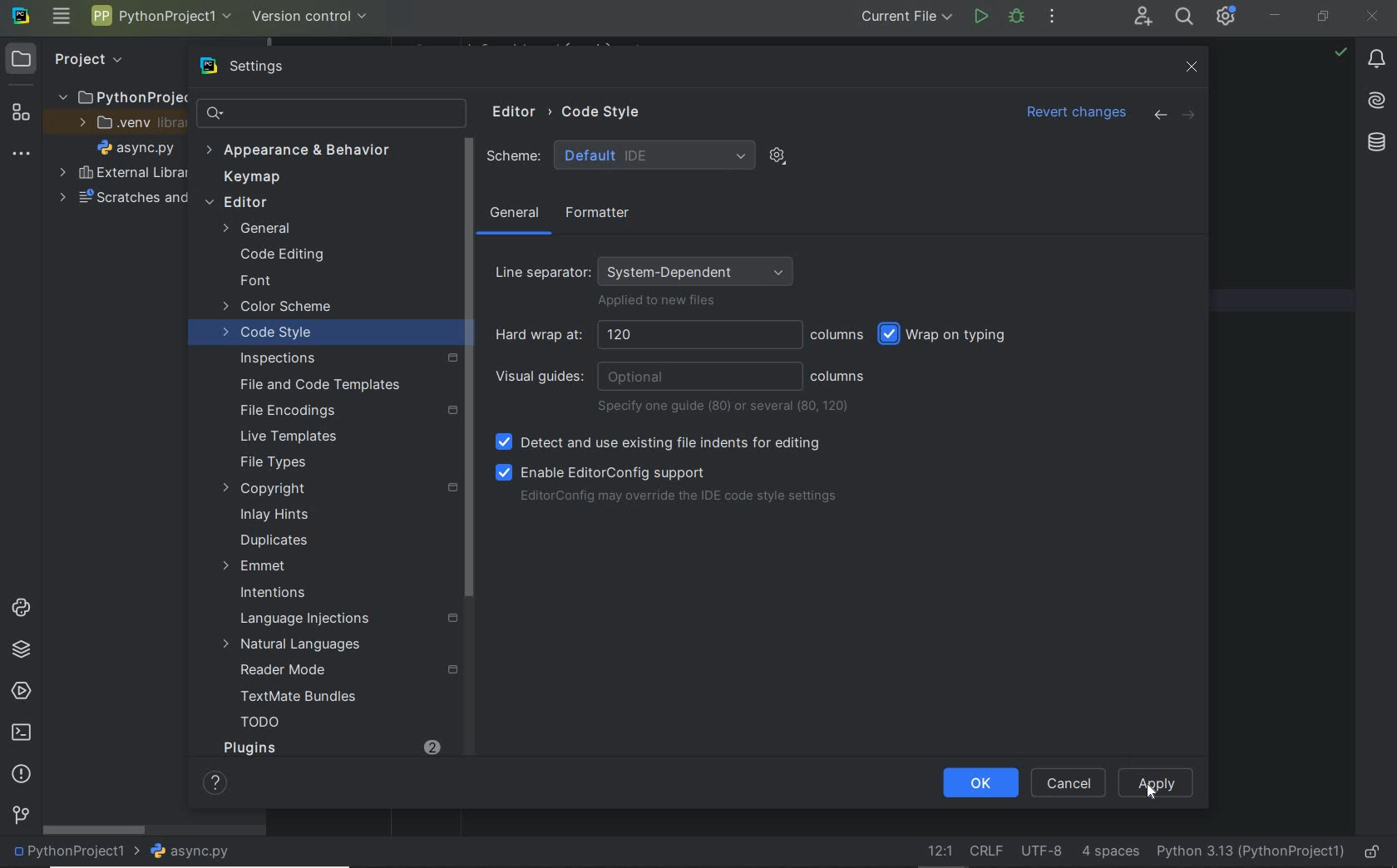  I want to click on TODO, so click(260, 725).